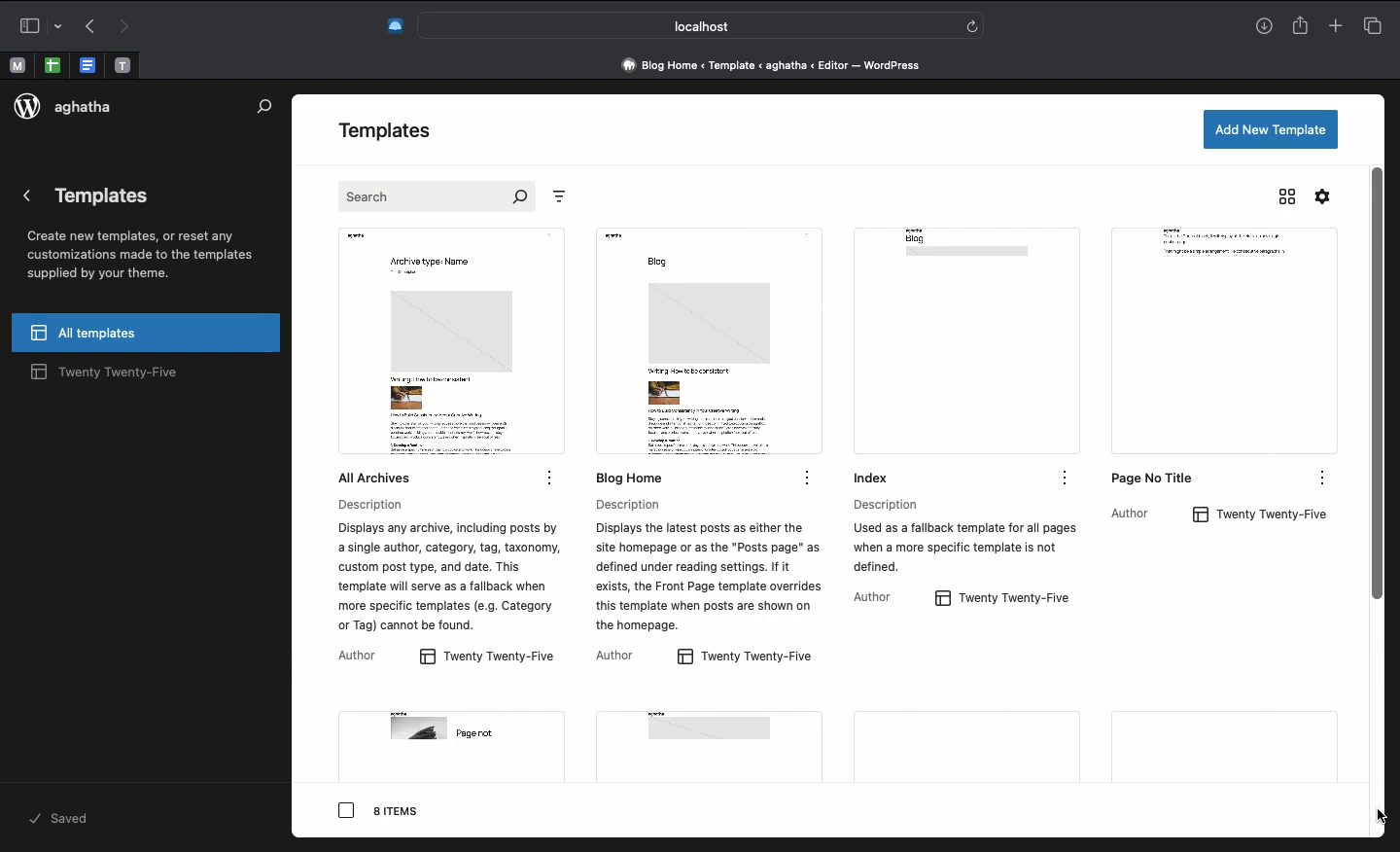  What do you see at coordinates (960, 360) in the screenshot?
I see `Index` at bounding box center [960, 360].